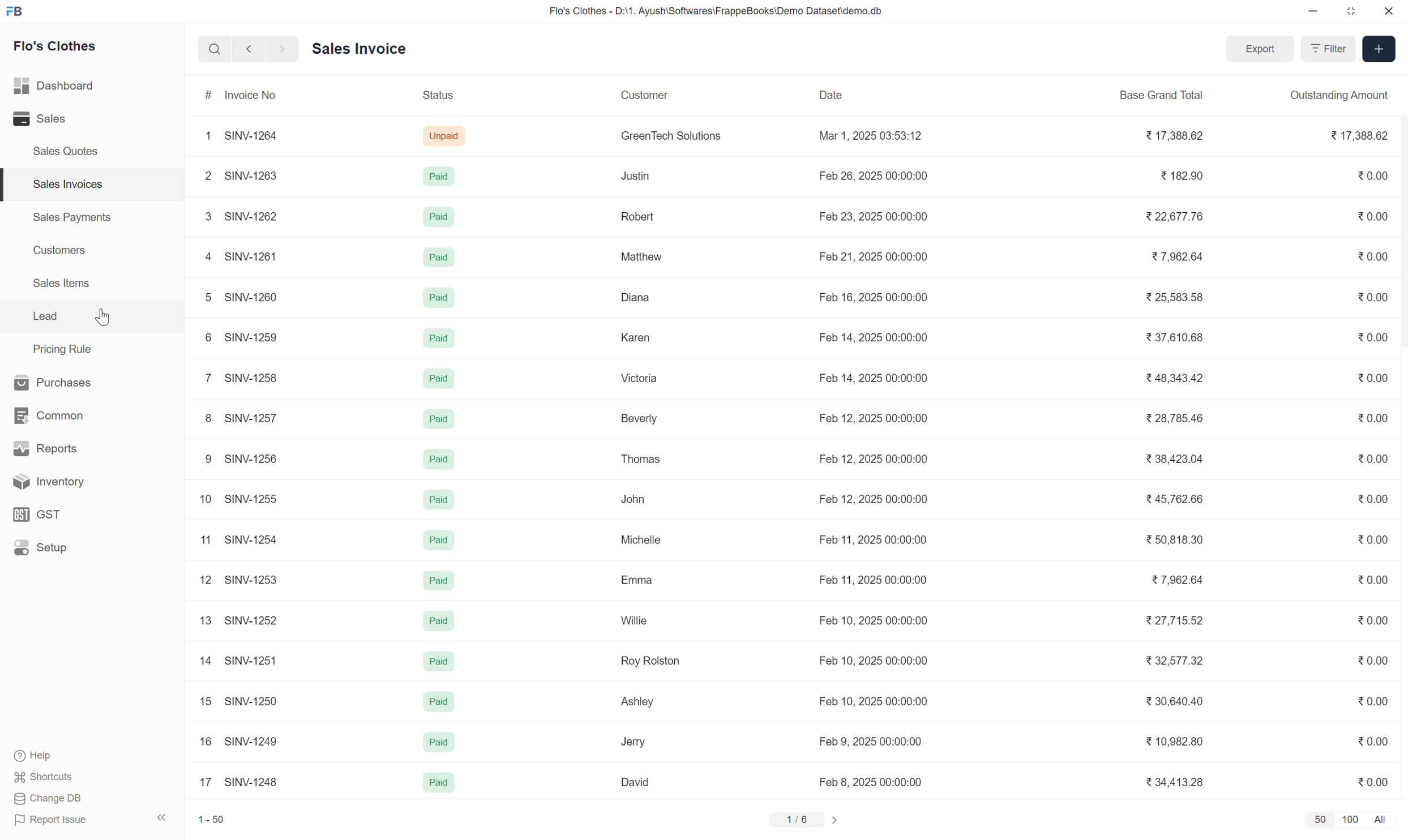 The width and height of the screenshot is (1408, 840). I want to click on Matthew, so click(638, 258).